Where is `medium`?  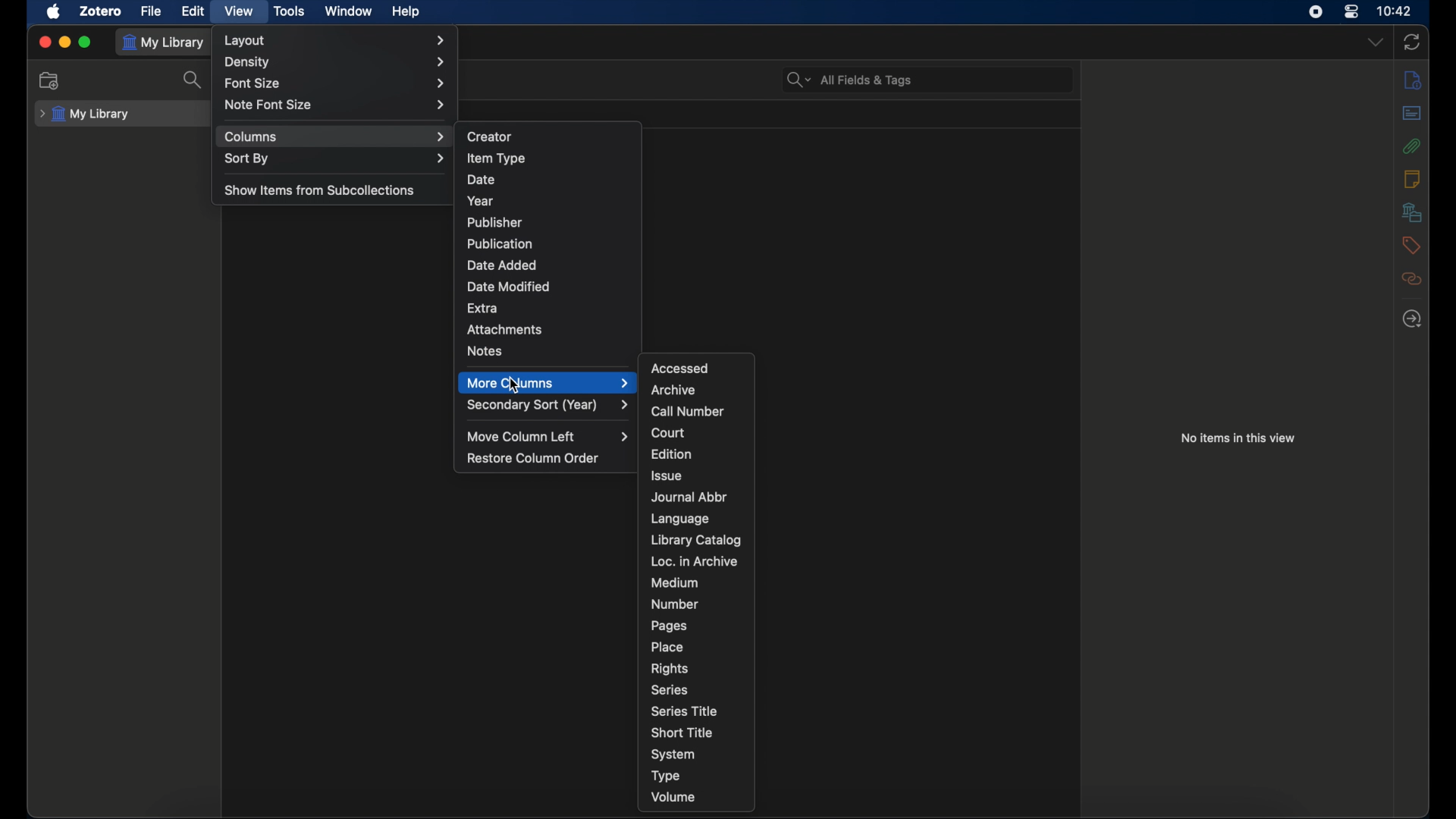
medium is located at coordinates (675, 583).